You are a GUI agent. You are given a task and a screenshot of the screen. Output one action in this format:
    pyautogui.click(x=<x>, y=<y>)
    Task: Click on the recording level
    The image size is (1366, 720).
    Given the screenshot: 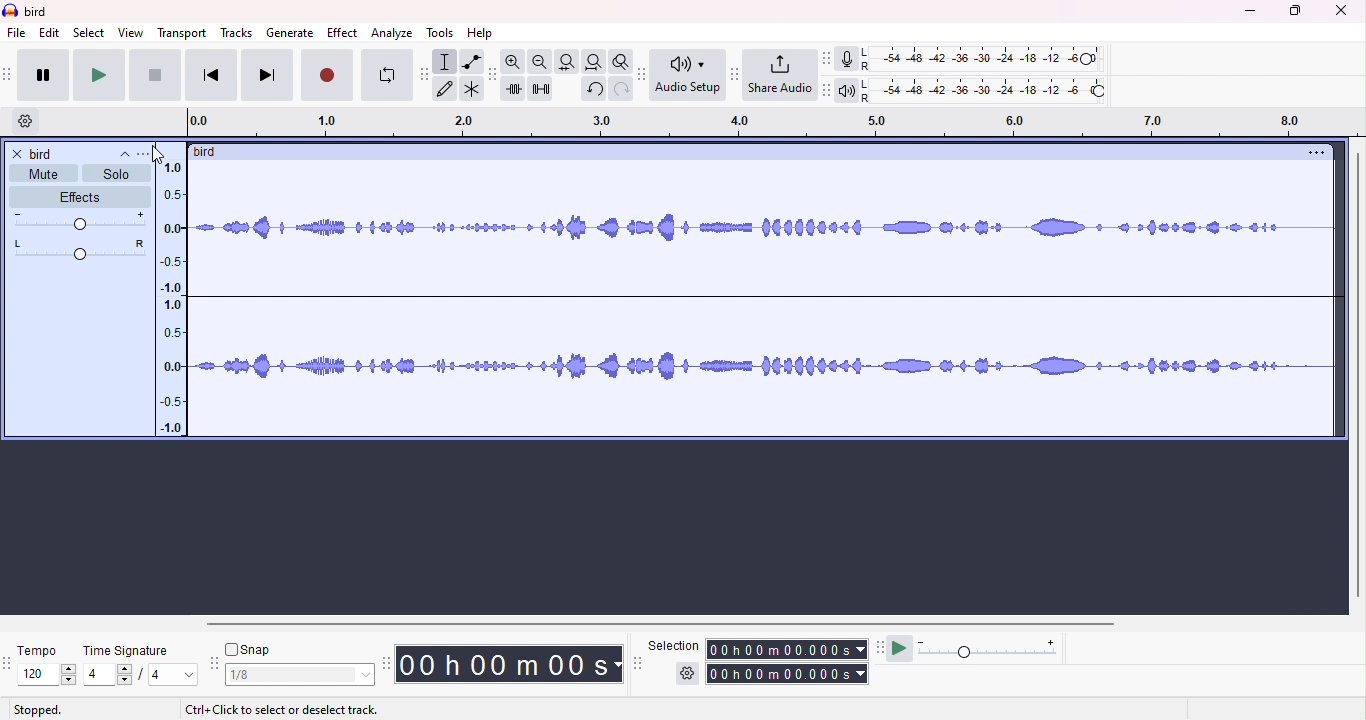 What is the action you would take?
    pyautogui.click(x=981, y=58)
    